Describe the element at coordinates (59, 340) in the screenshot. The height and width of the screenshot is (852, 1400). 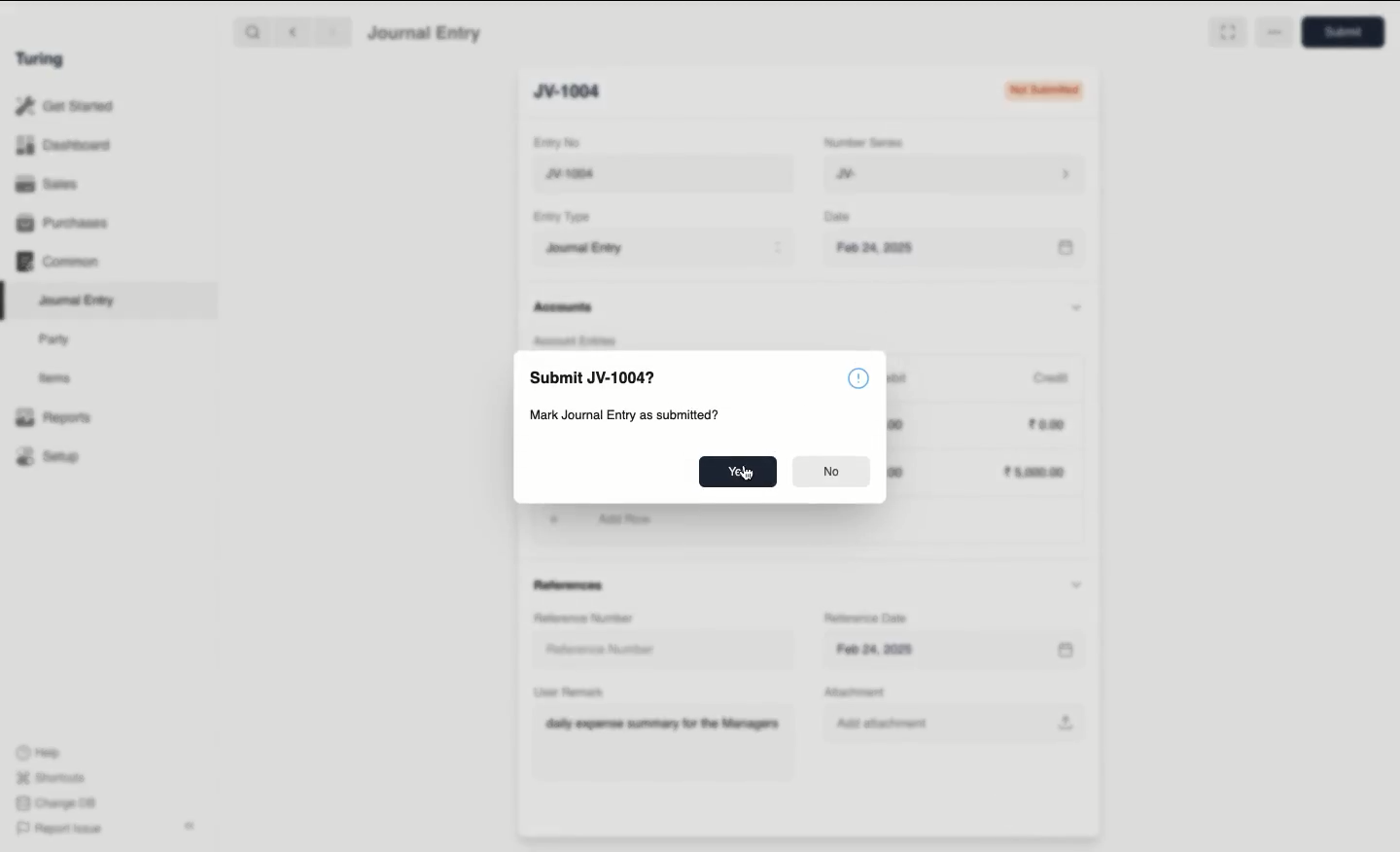
I see `Party` at that location.